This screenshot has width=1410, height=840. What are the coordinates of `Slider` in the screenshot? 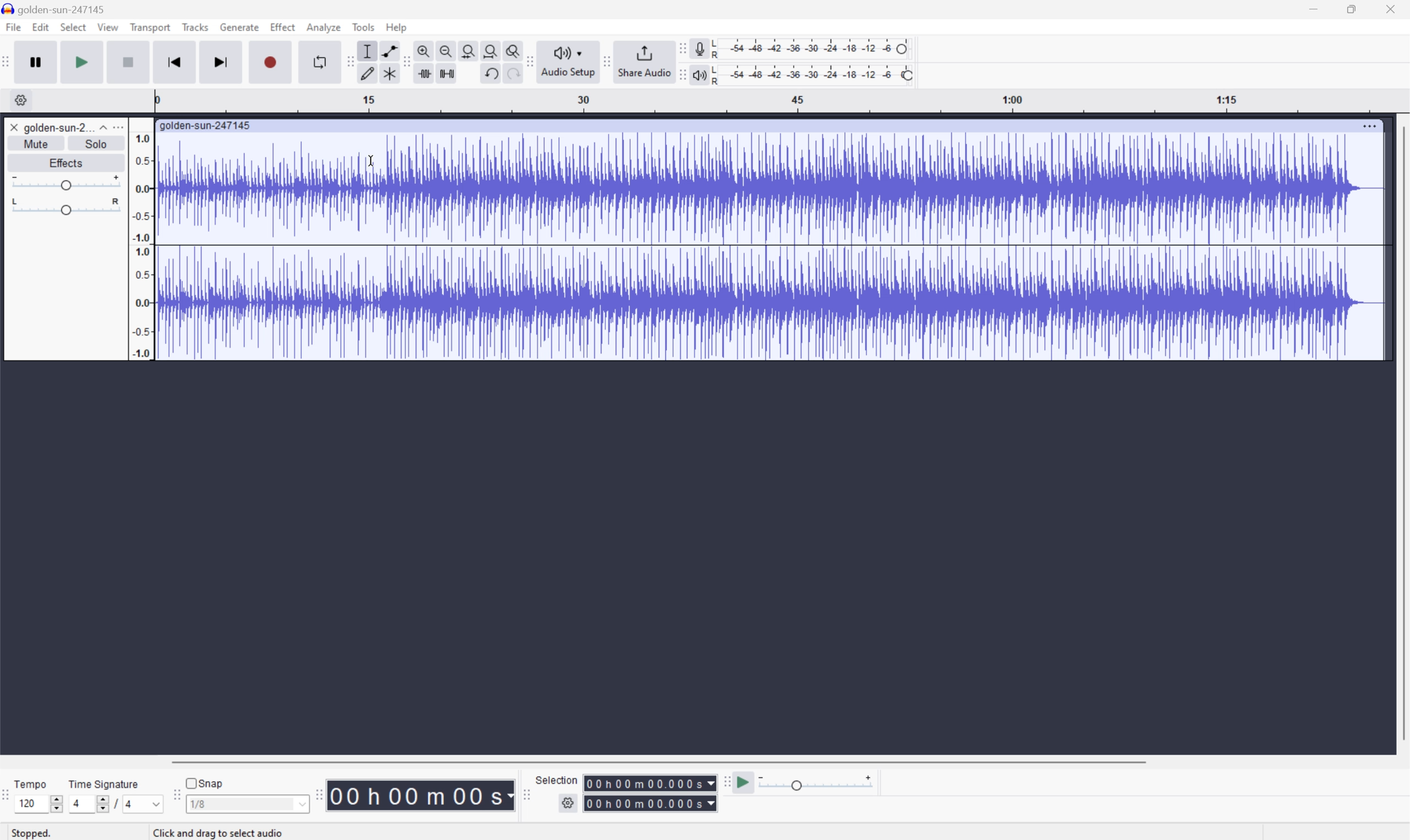 It's located at (54, 802).